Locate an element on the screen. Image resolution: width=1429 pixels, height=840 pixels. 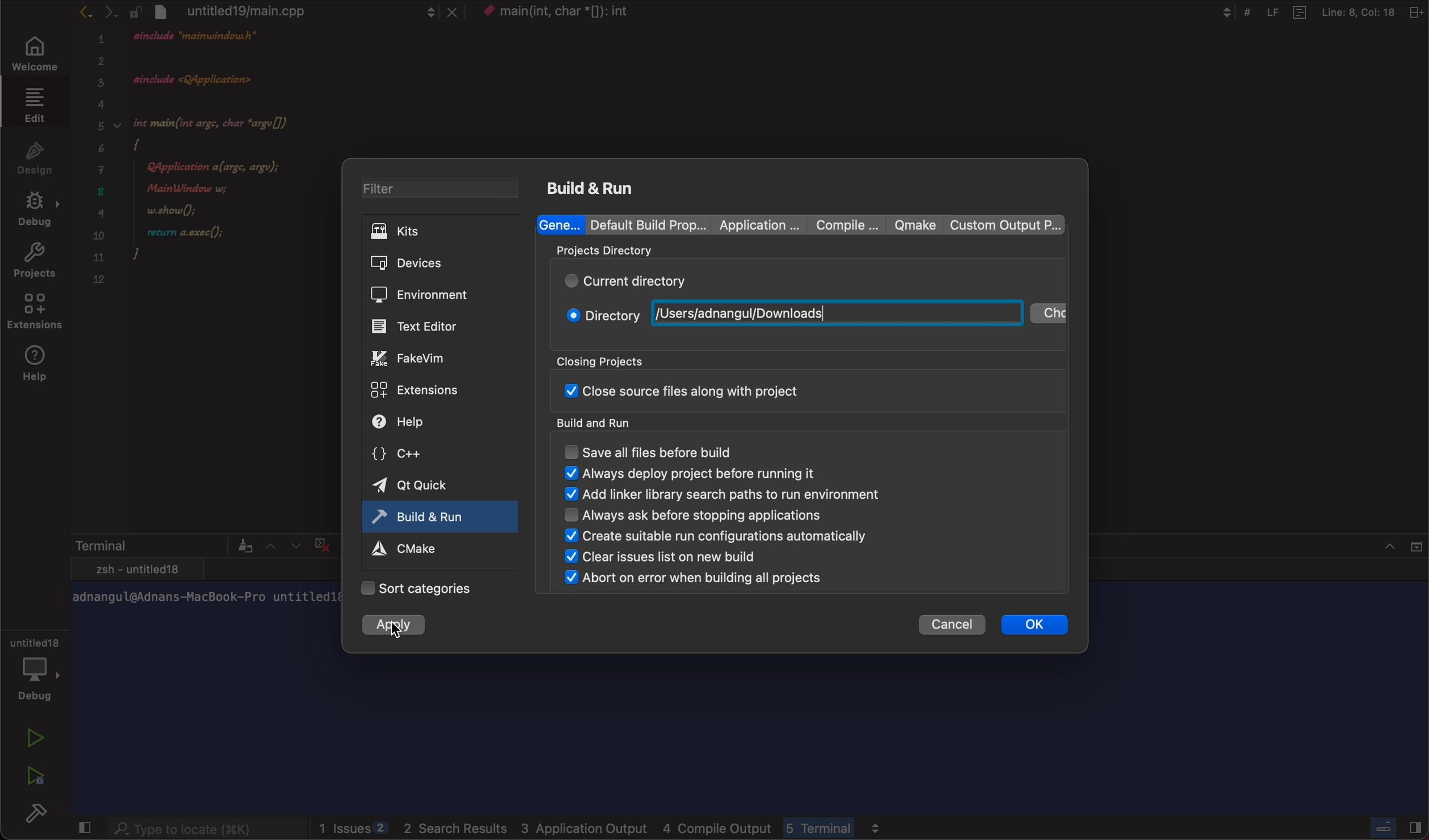
categories is located at coordinates (437, 588).